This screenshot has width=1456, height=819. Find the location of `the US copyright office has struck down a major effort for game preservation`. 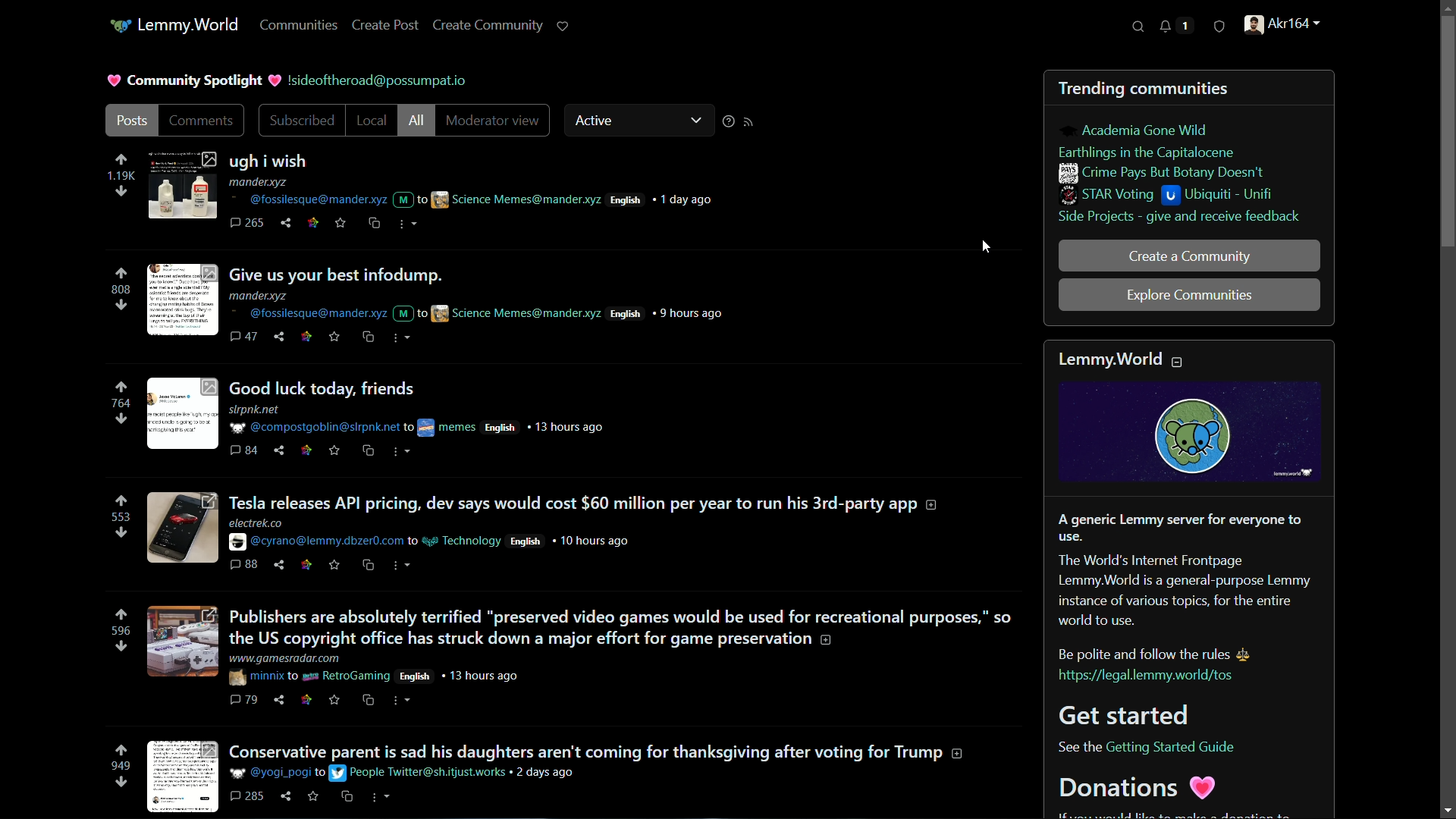

the US copyright office has struck down a major effort for game preservation is located at coordinates (520, 639).